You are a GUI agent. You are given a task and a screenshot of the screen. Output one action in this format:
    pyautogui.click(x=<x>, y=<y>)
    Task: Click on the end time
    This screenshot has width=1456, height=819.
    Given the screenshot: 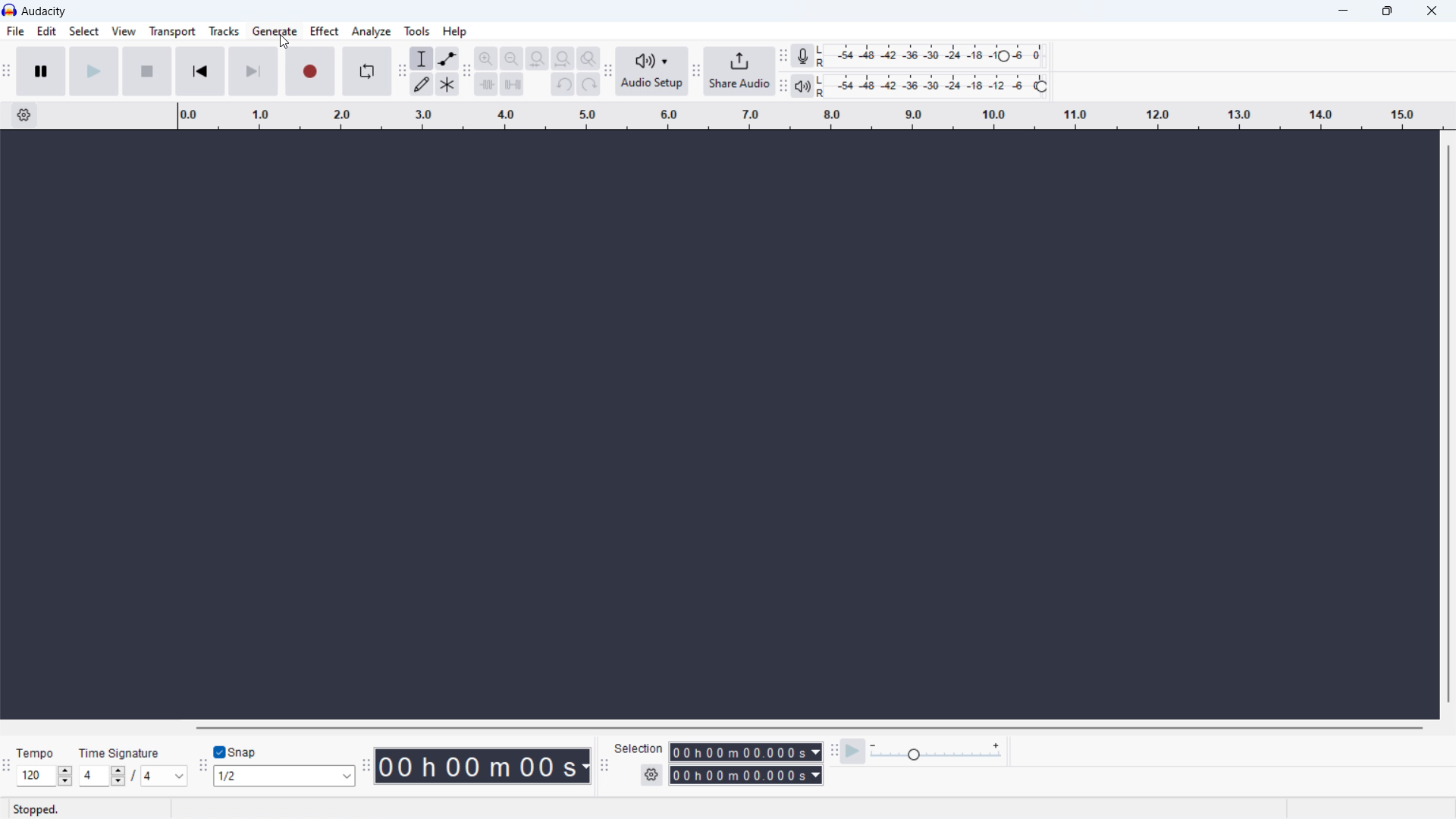 What is the action you would take?
    pyautogui.click(x=747, y=776)
    